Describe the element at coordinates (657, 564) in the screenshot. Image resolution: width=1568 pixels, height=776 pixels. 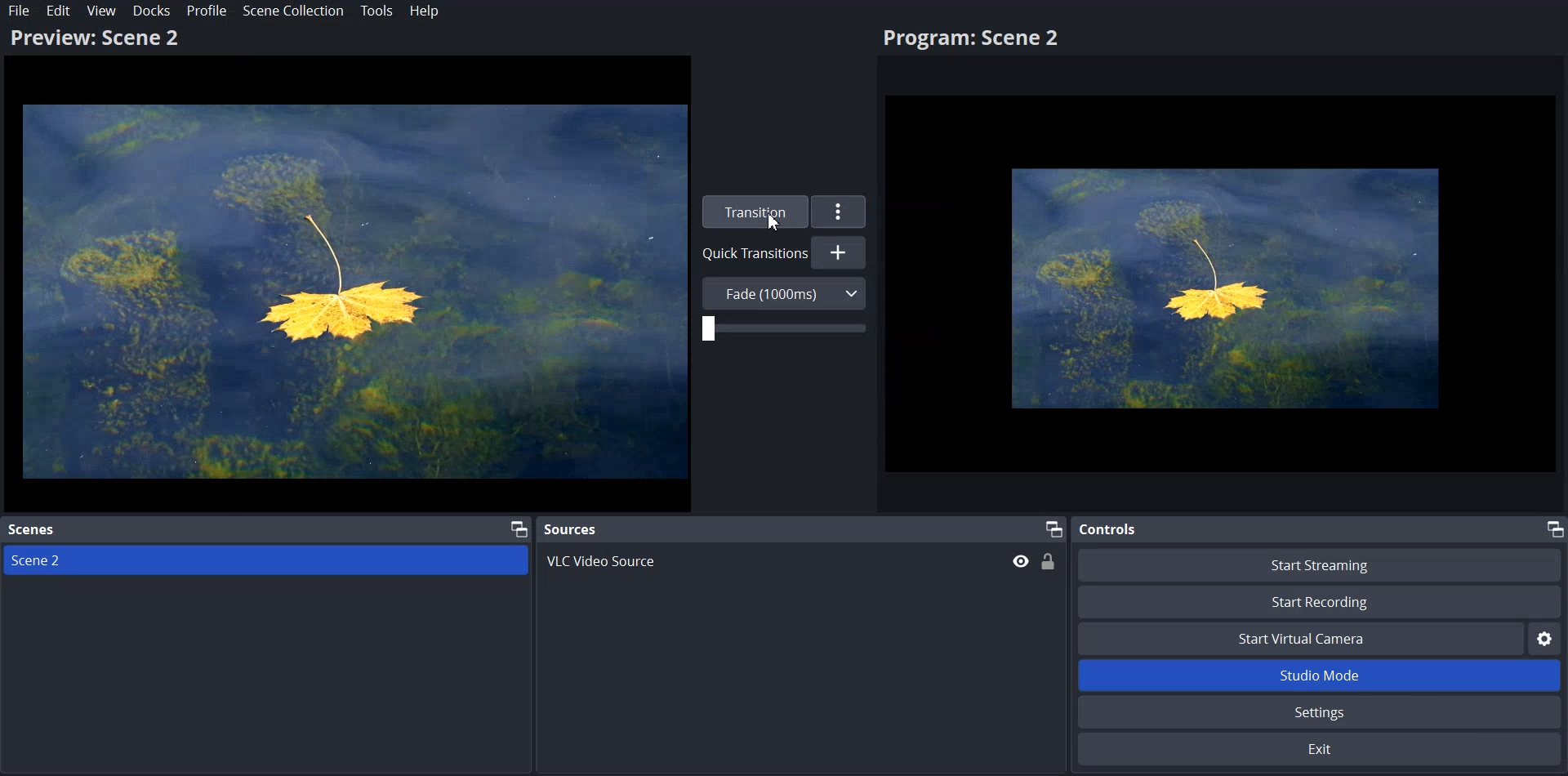
I see `VLC Video Source` at that location.